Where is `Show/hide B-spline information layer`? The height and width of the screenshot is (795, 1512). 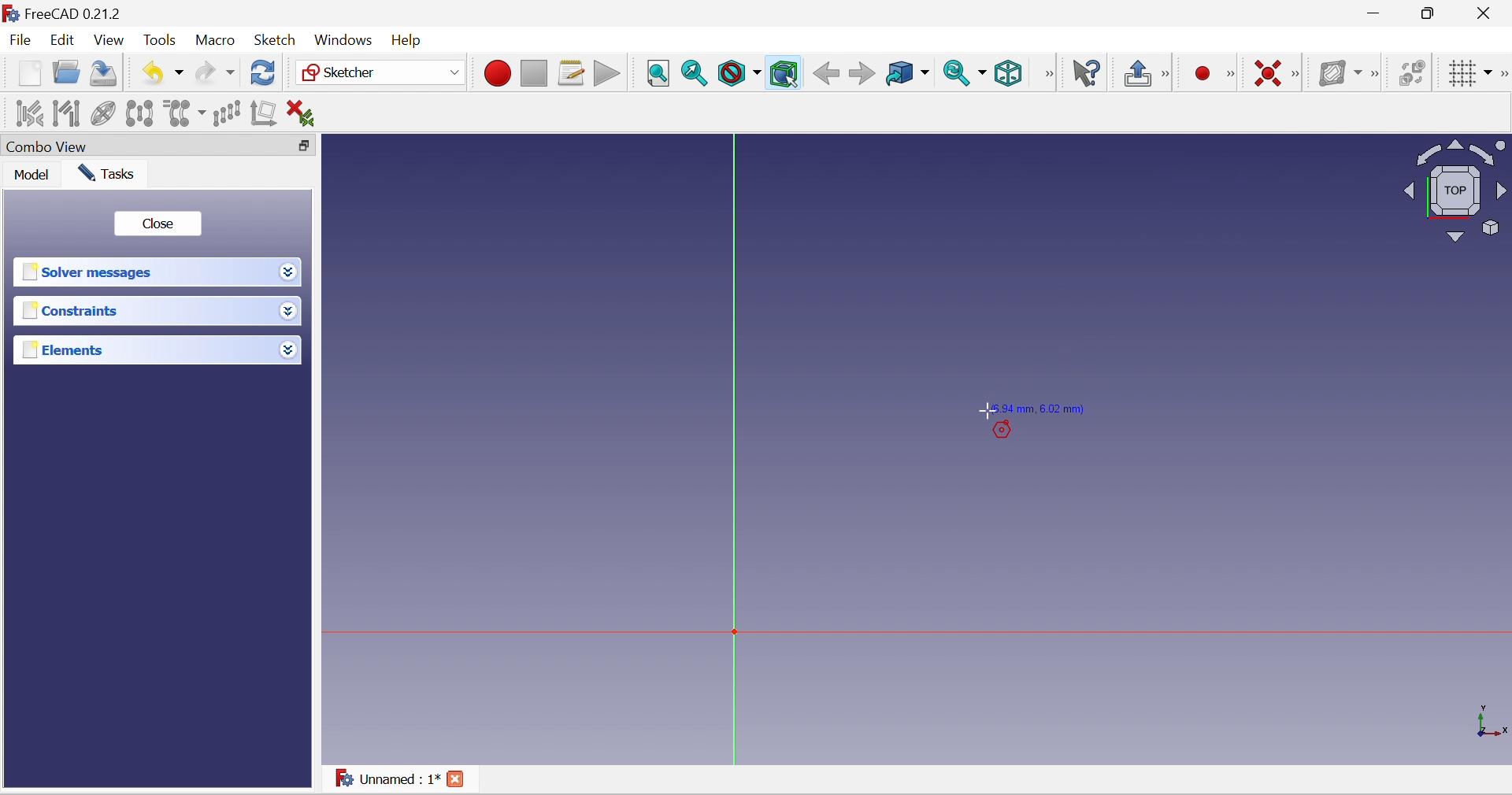
Show/hide B-spline information layer is located at coordinates (1340, 74).